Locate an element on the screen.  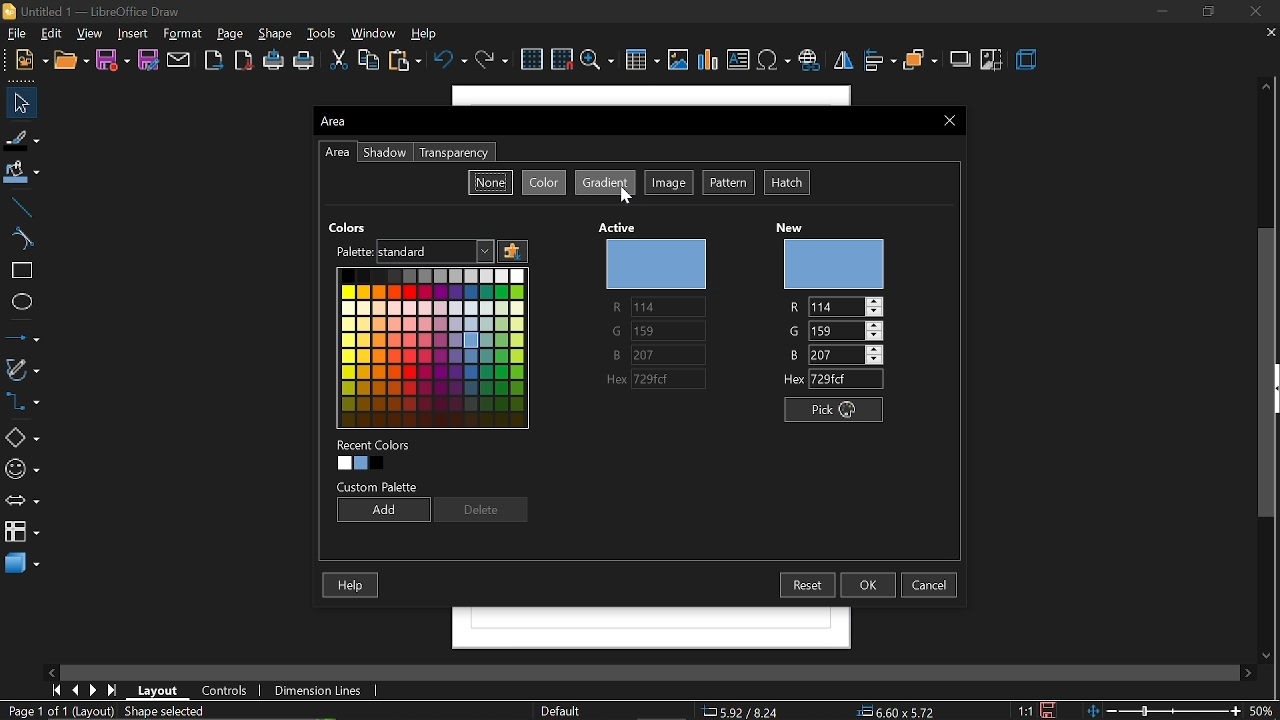
Line is located at coordinates (18, 205).